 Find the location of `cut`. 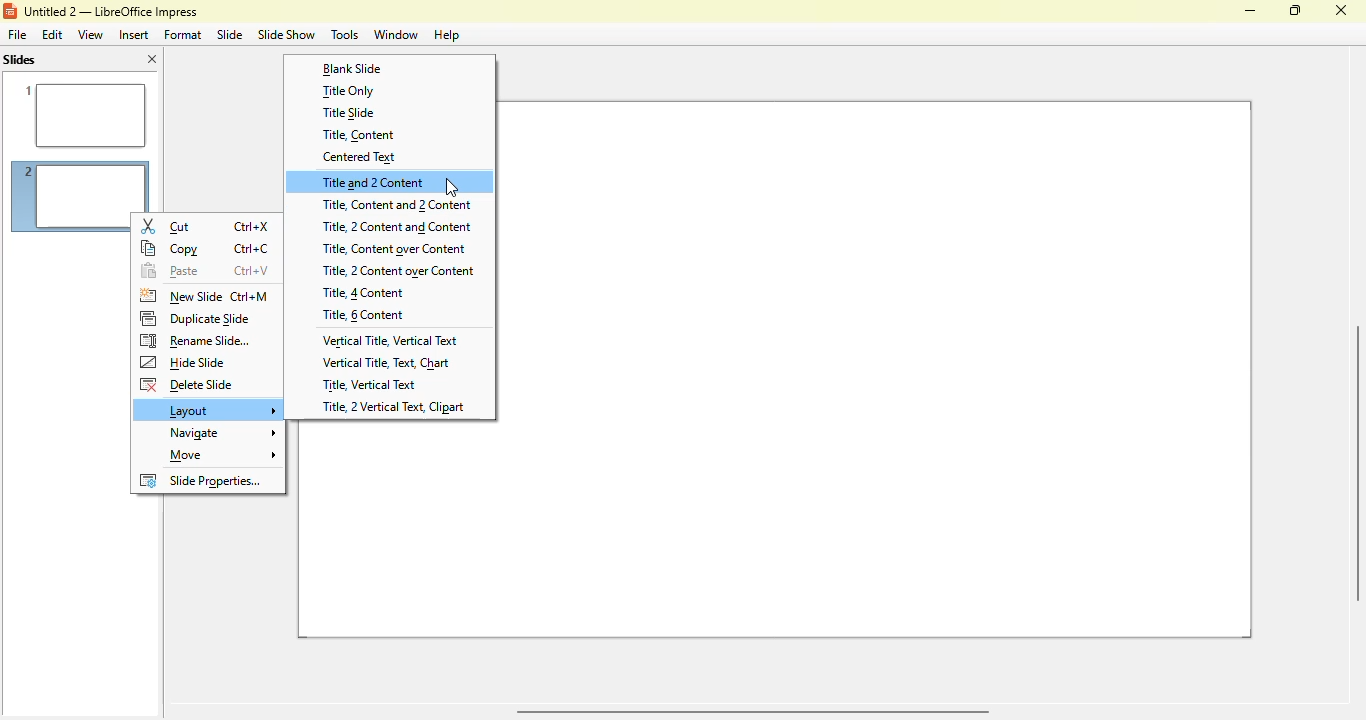

cut is located at coordinates (166, 226).